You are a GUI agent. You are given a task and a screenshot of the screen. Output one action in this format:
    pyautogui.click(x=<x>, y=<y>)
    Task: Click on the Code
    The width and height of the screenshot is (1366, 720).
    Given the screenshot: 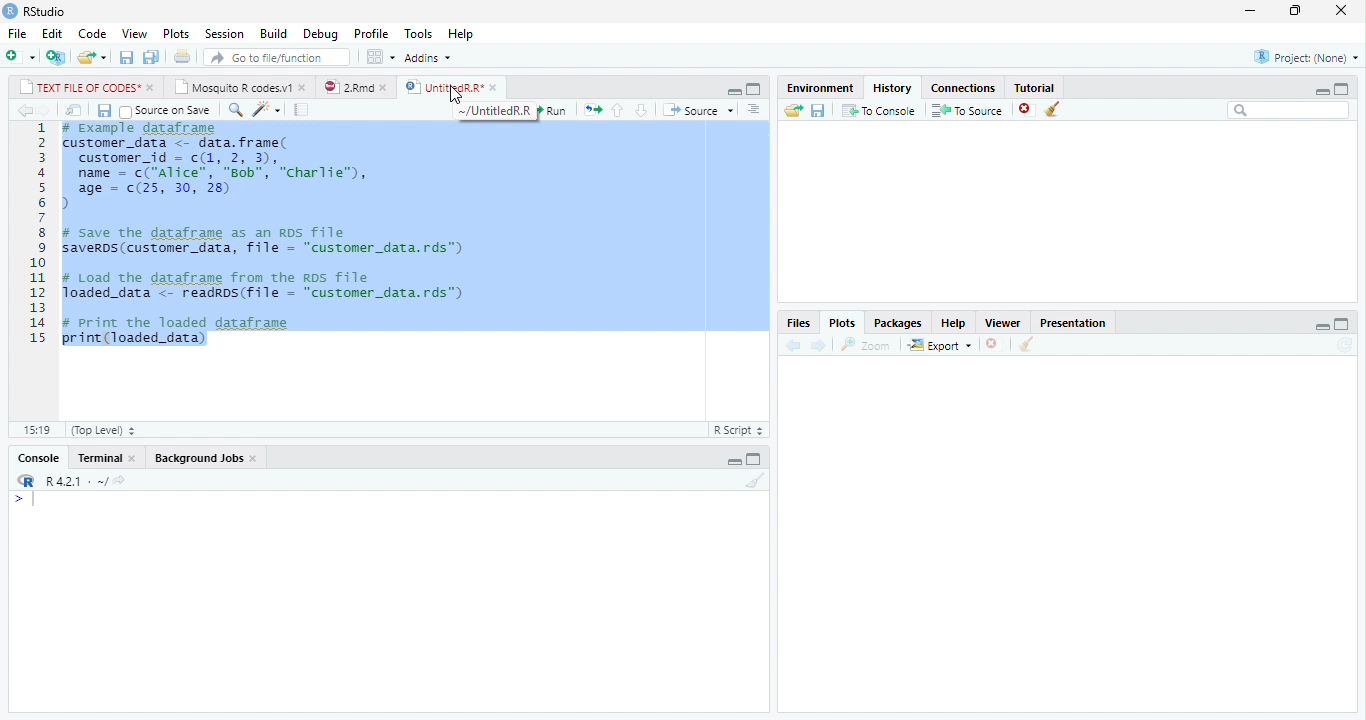 What is the action you would take?
    pyautogui.click(x=92, y=34)
    